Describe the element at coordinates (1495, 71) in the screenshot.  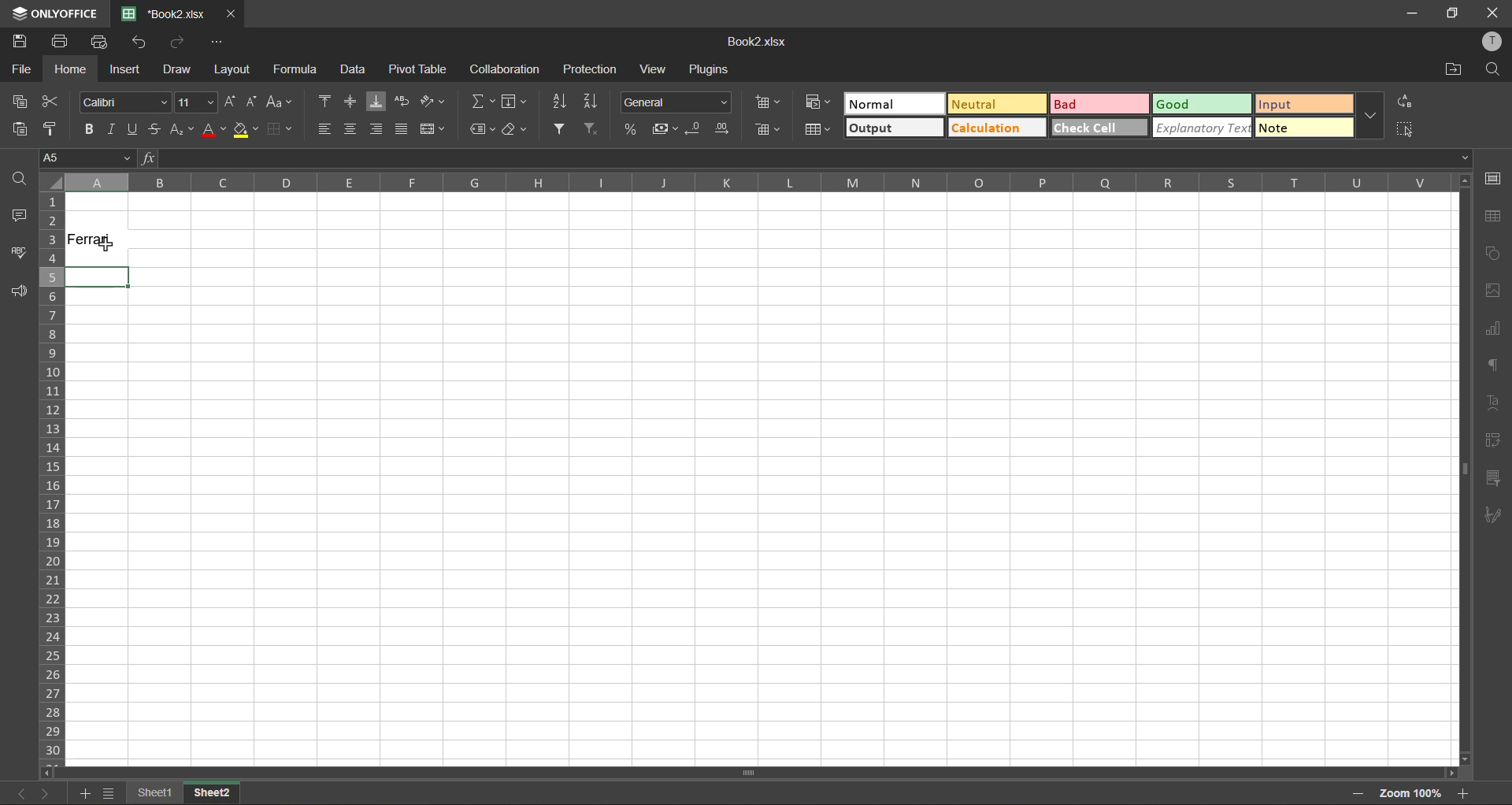
I see `find` at that location.